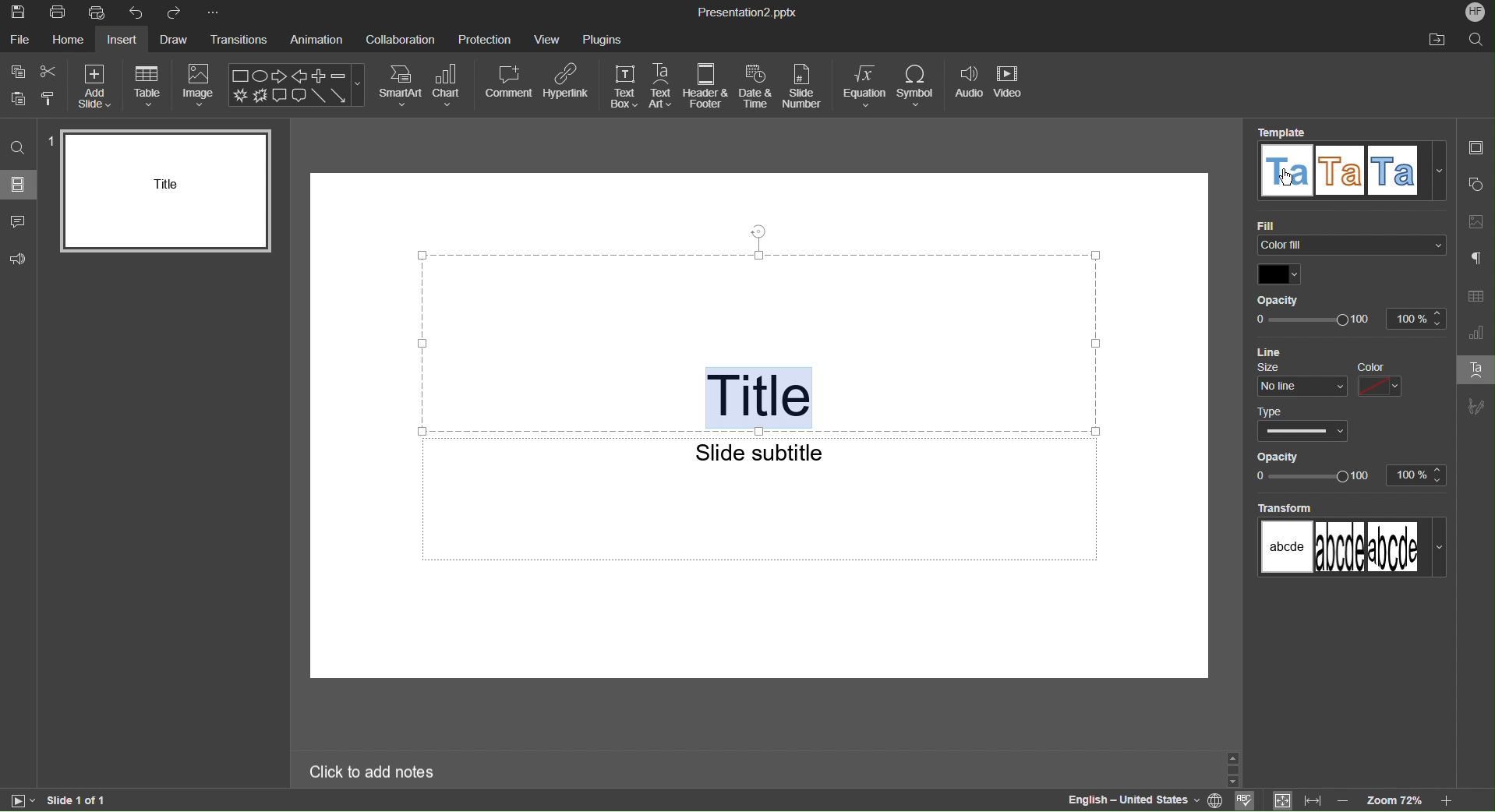 The width and height of the screenshot is (1495, 812). What do you see at coordinates (969, 86) in the screenshot?
I see `Audio` at bounding box center [969, 86].